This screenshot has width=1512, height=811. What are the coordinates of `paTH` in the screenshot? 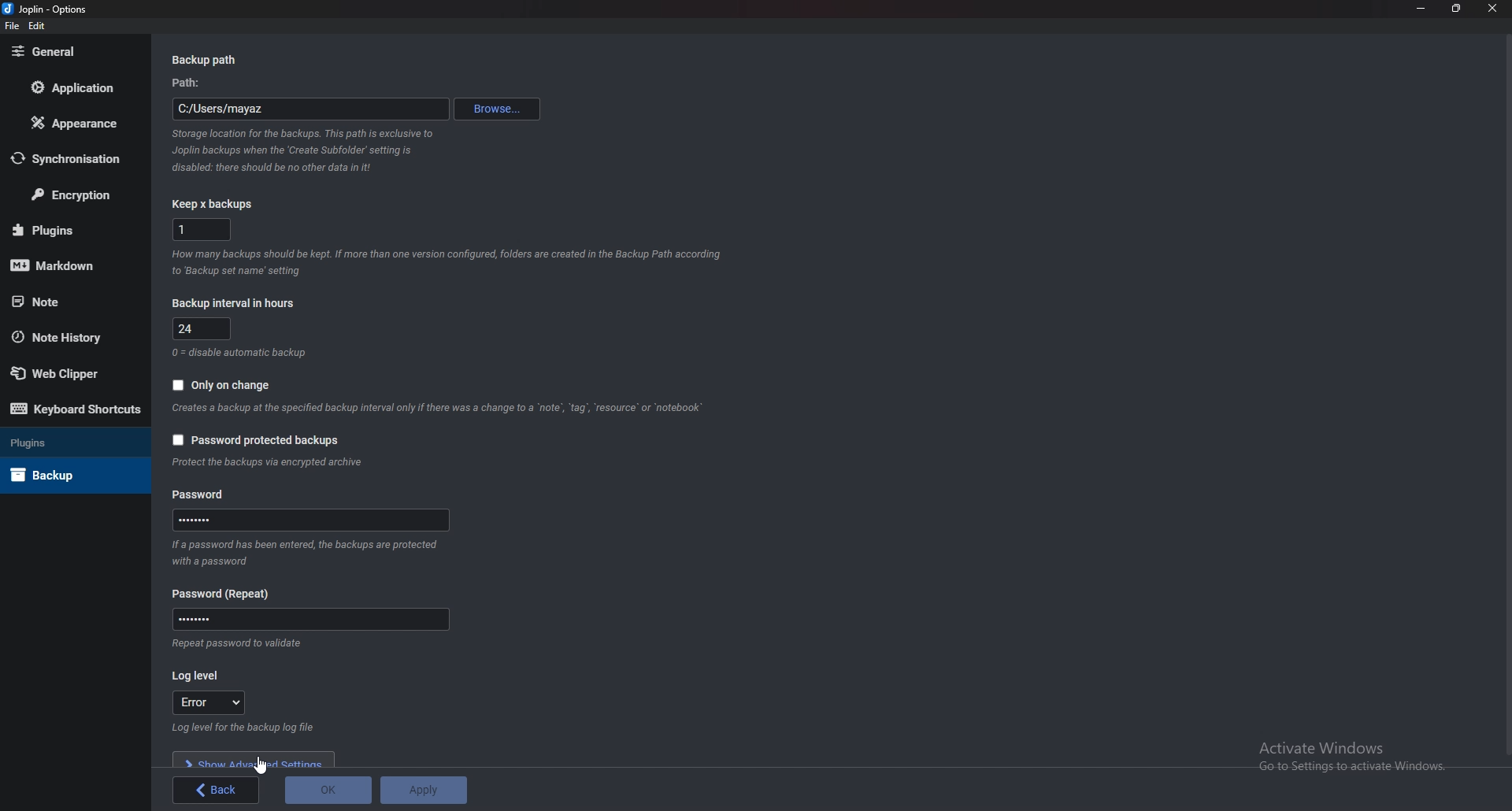 It's located at (191, 83).